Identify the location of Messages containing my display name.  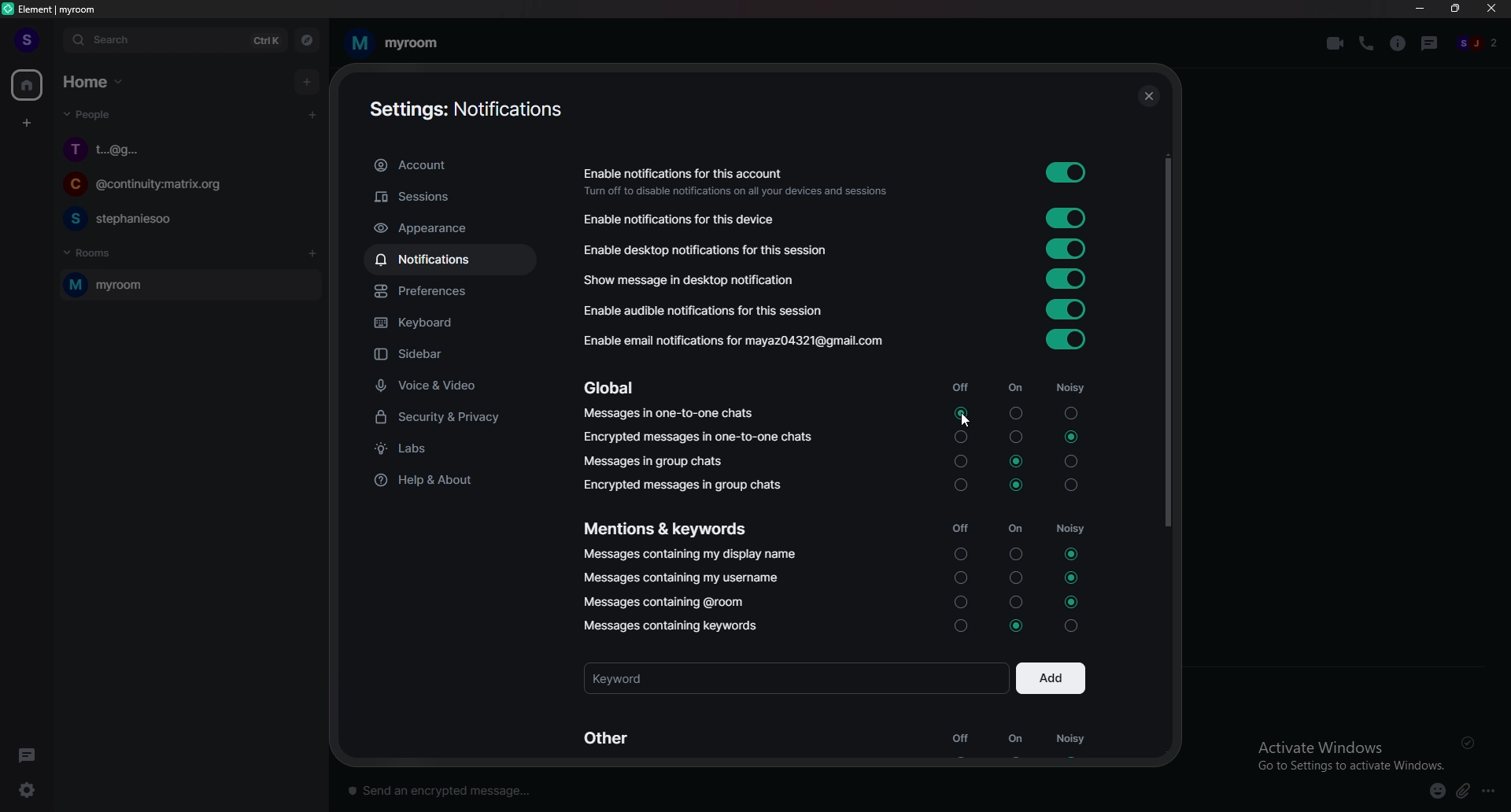
(692, 555).